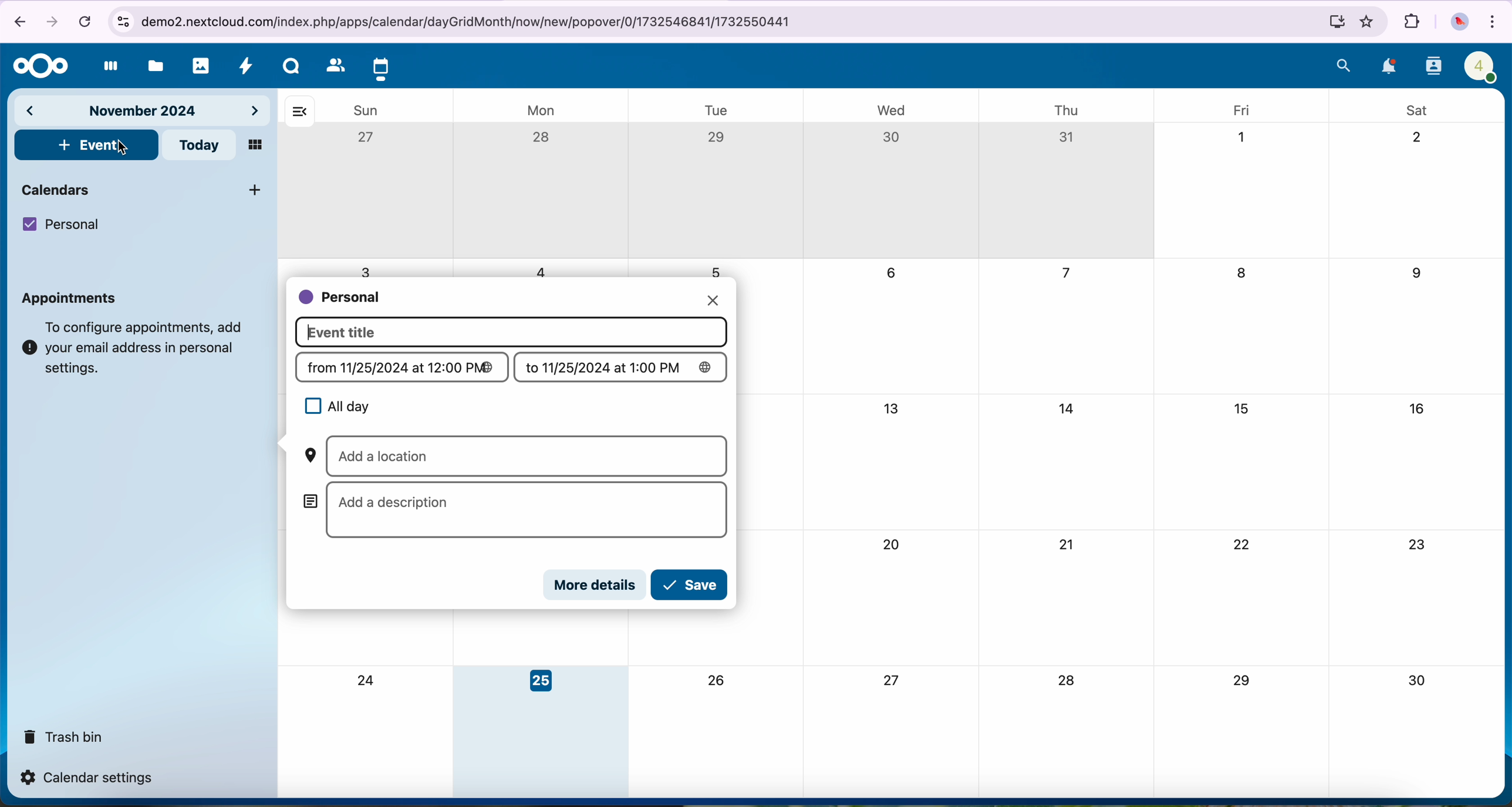 This screenshot has width=1512, height=807. Describe the element at coordinates (623, 368) in the screenshot. I see `to (date)` at that location.